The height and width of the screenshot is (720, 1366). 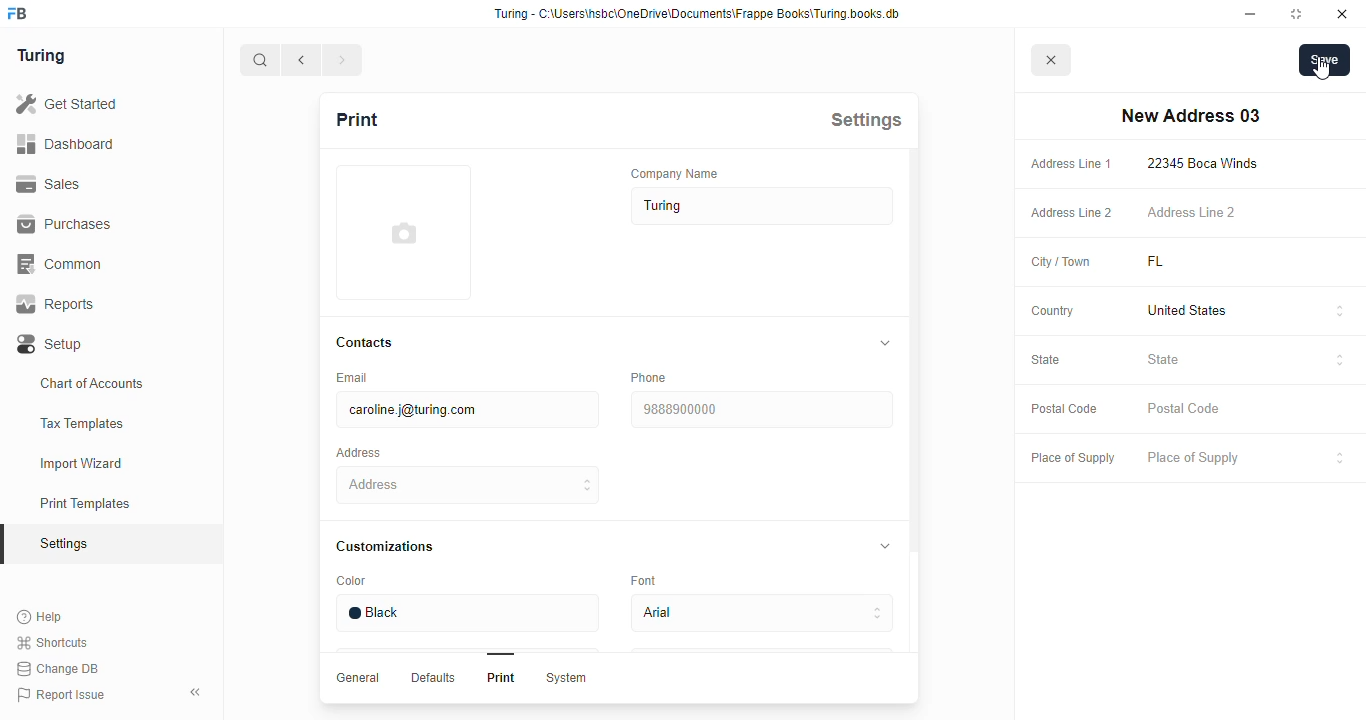 What do you see at coordinates (351, 581) in the screenshot?
I see `color` at bounding box center [351, 581].